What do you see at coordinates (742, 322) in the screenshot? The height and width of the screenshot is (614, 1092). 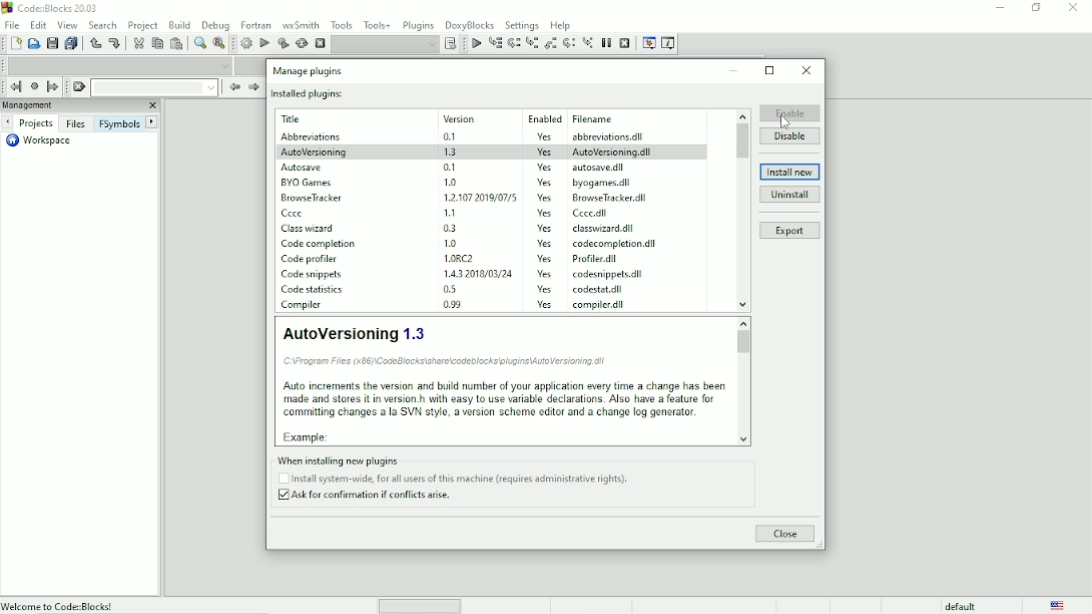 I see `scroll up ` at bounding box center [742, 322].